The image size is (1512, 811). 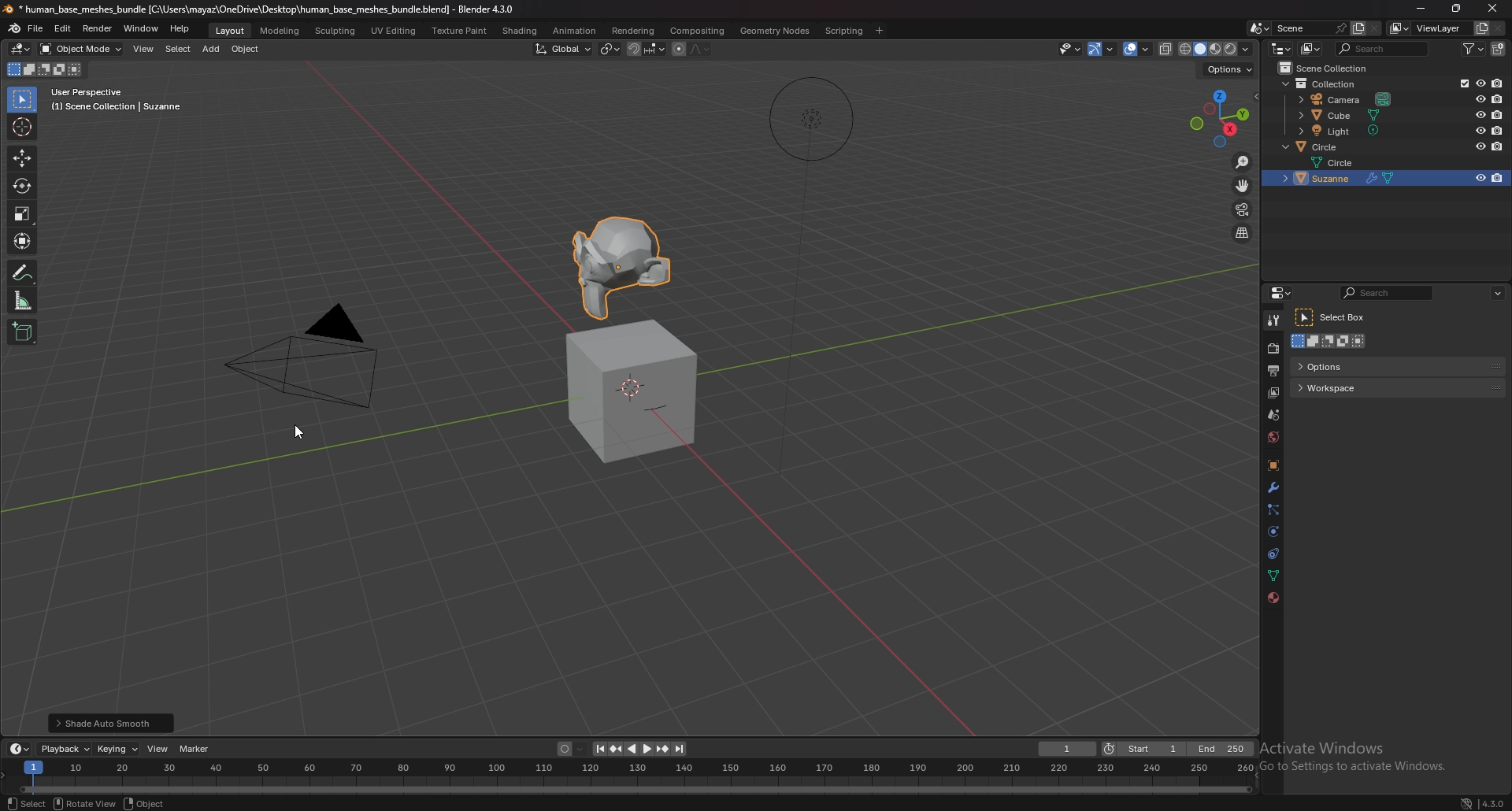 What do you see at coordinates (247, 48) in the screenshot?
I see `object` at bounding box center [247, 48].